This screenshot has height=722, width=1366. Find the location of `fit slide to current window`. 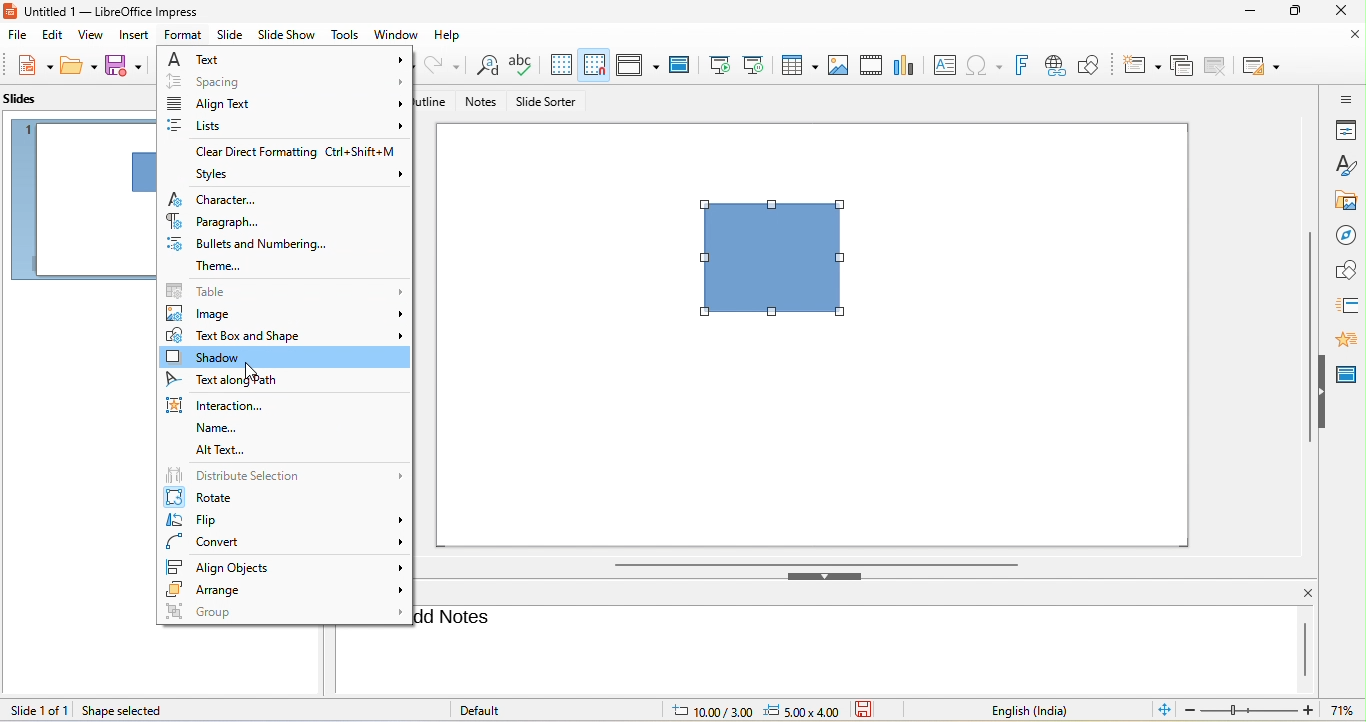

fit slide to current window is located at coordinates (1161, 710).